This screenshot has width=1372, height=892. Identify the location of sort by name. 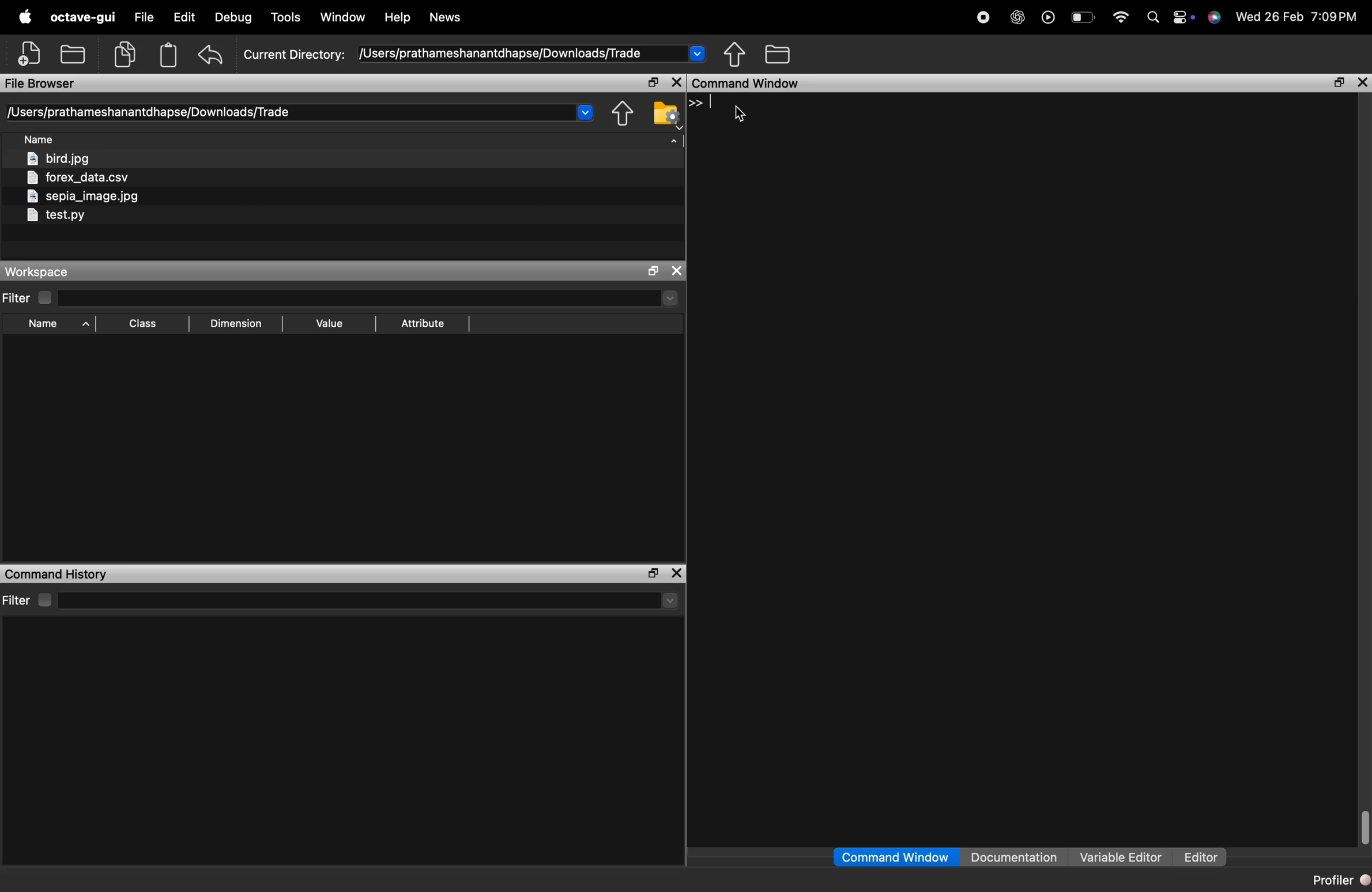
(55, 324).